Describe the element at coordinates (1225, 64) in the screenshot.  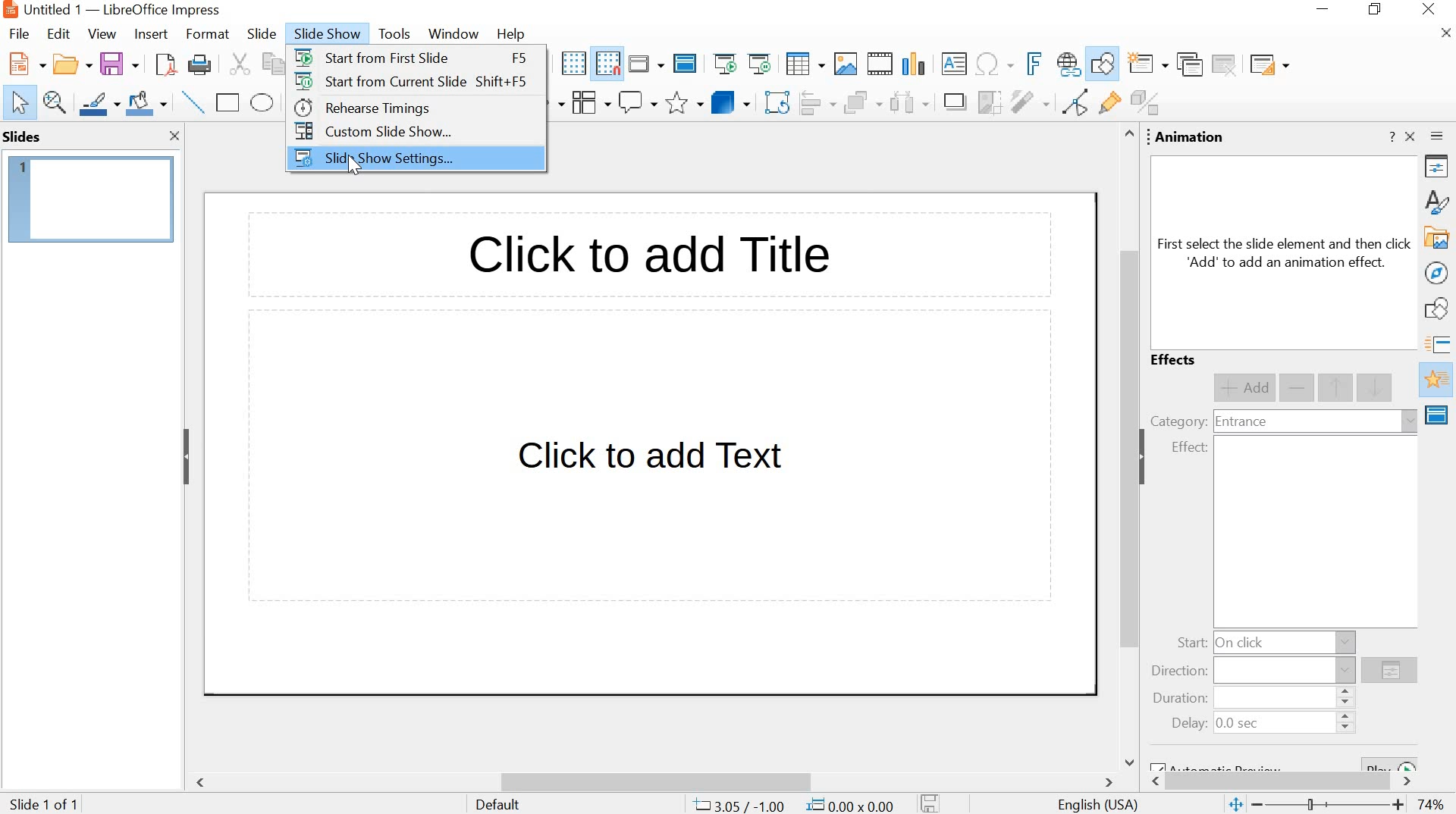
I see `delete slide` at that location.